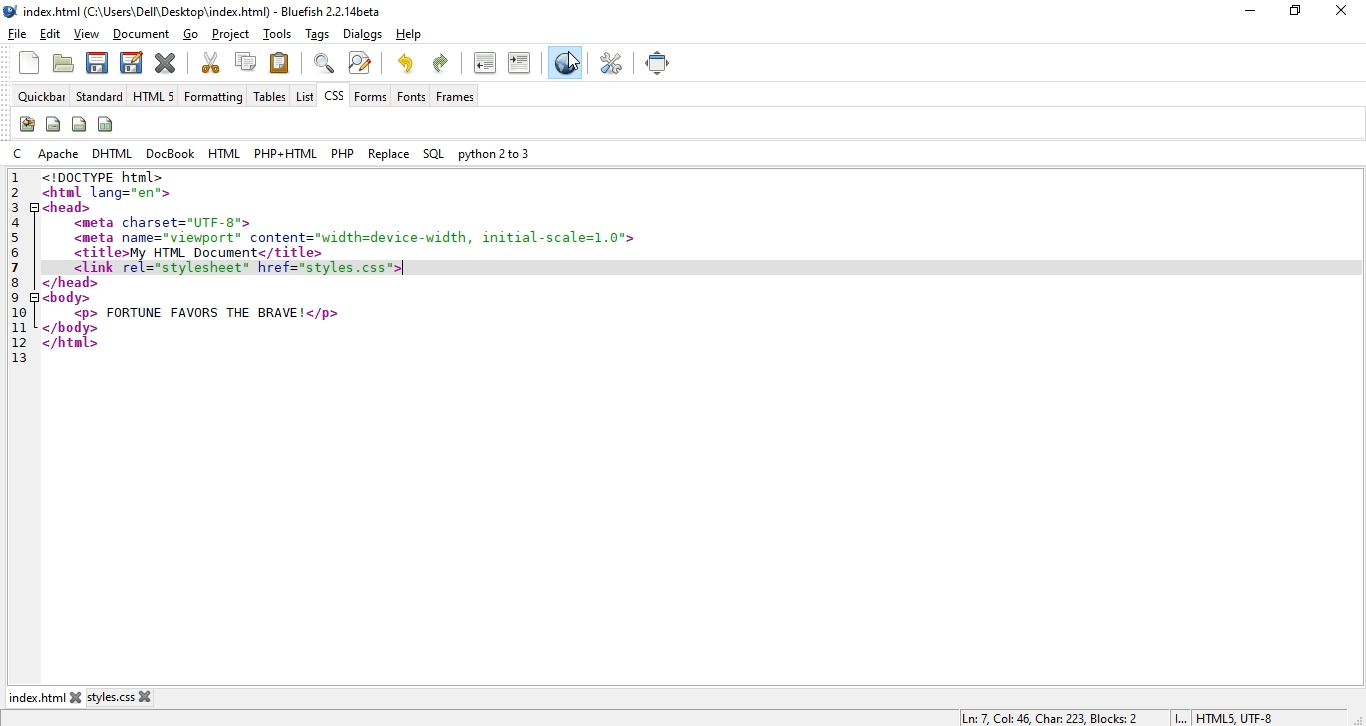 This screenshot has width=1366, height=726. I want to click on formatting, so click(213, 98).